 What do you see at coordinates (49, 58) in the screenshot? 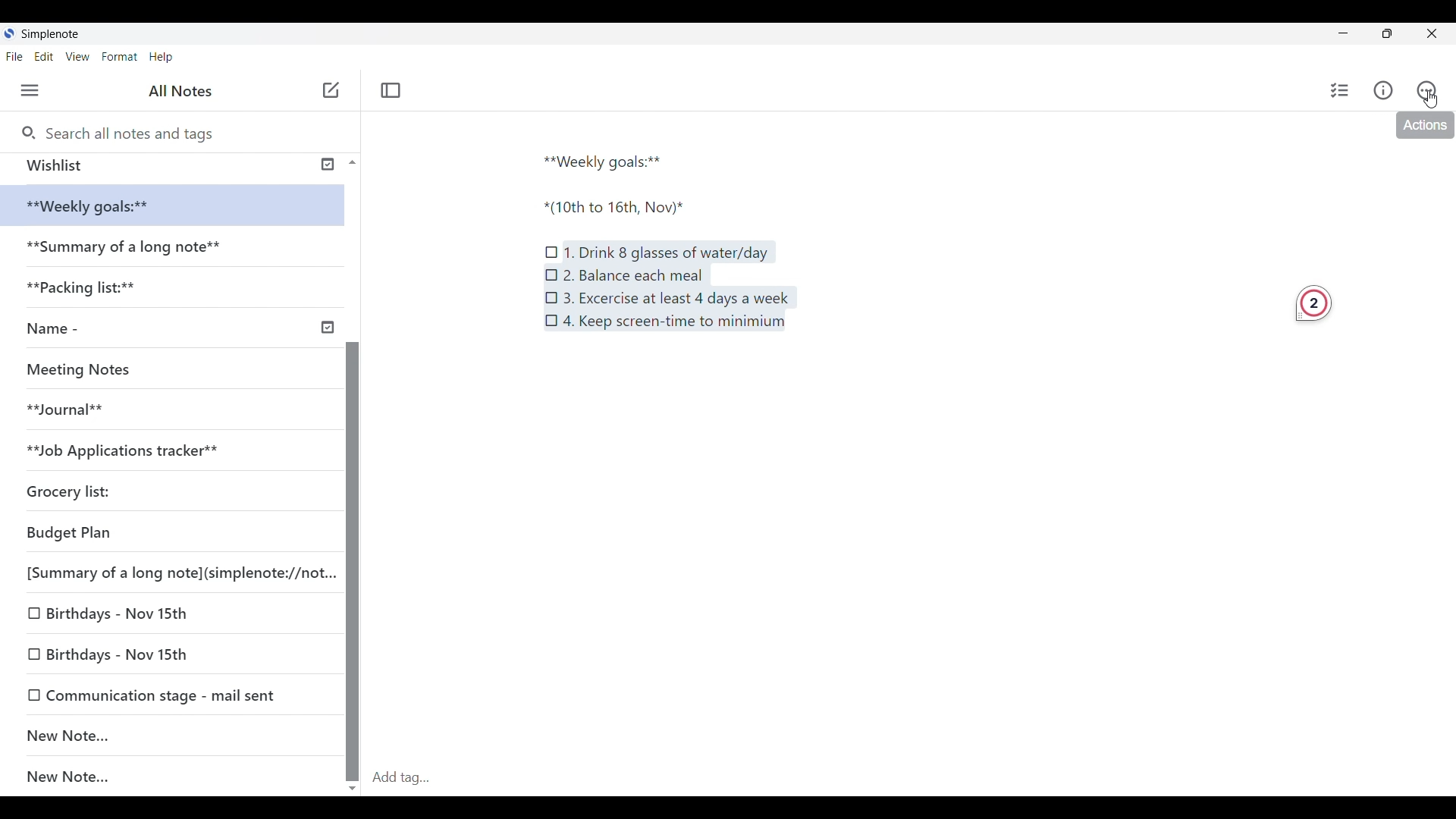
I see `Edit` at bounding box center [49, 58].